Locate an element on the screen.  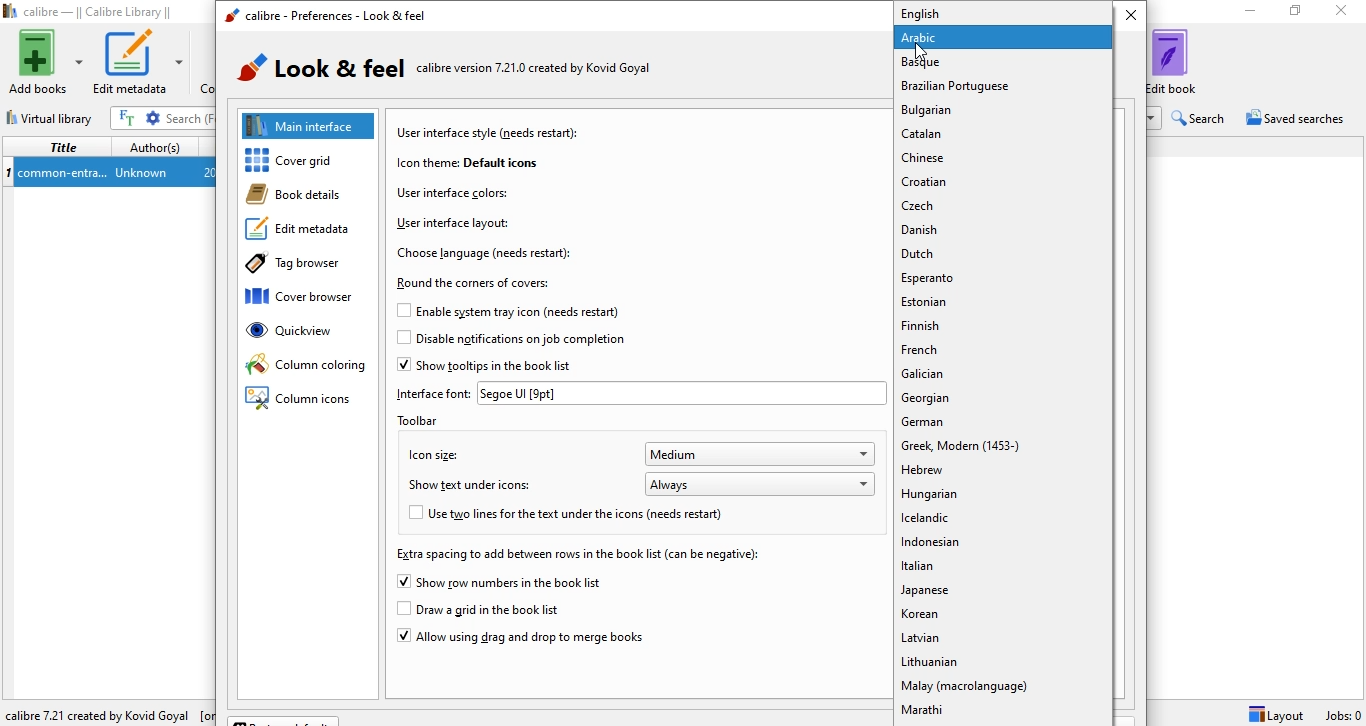
show row number in the book list is located at coordinates (501, 583).